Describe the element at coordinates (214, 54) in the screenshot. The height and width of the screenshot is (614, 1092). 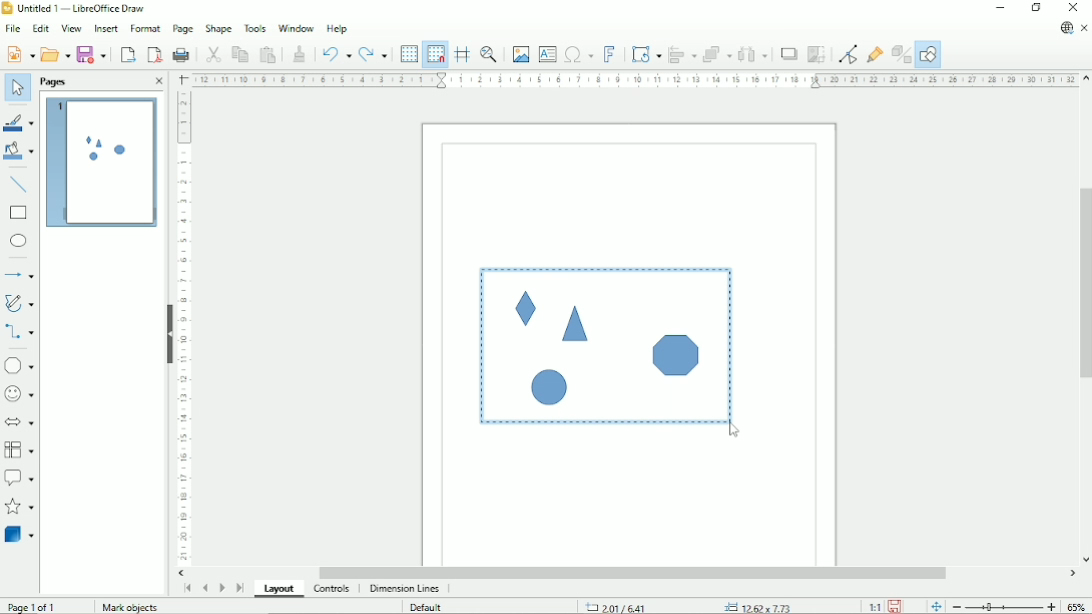
I see `Cut` at that location.